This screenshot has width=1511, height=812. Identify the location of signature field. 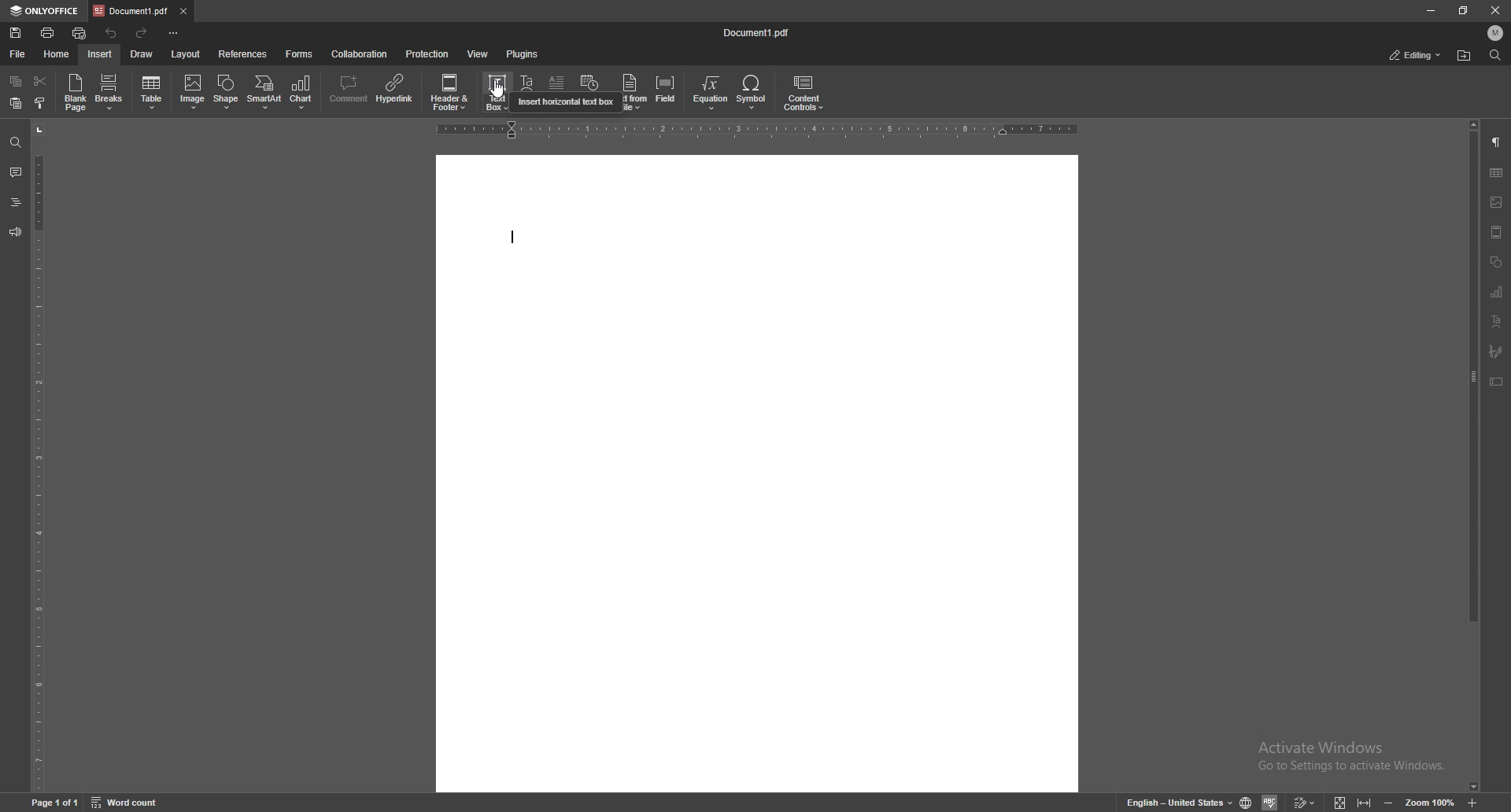
(1496, 350).